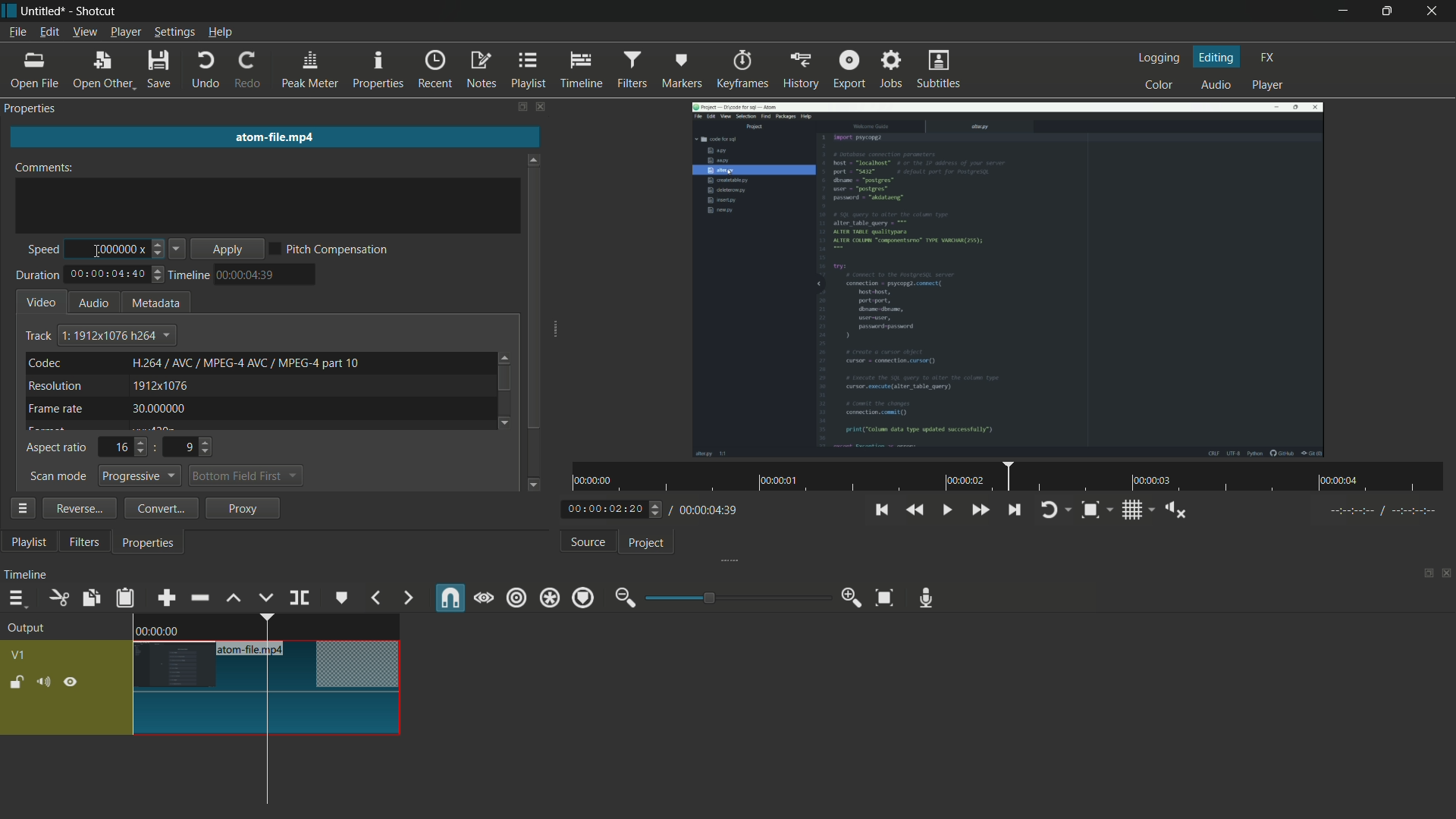  Describe the element at coordinates (87, 543) in the screenshot. I see `filters` at that location.